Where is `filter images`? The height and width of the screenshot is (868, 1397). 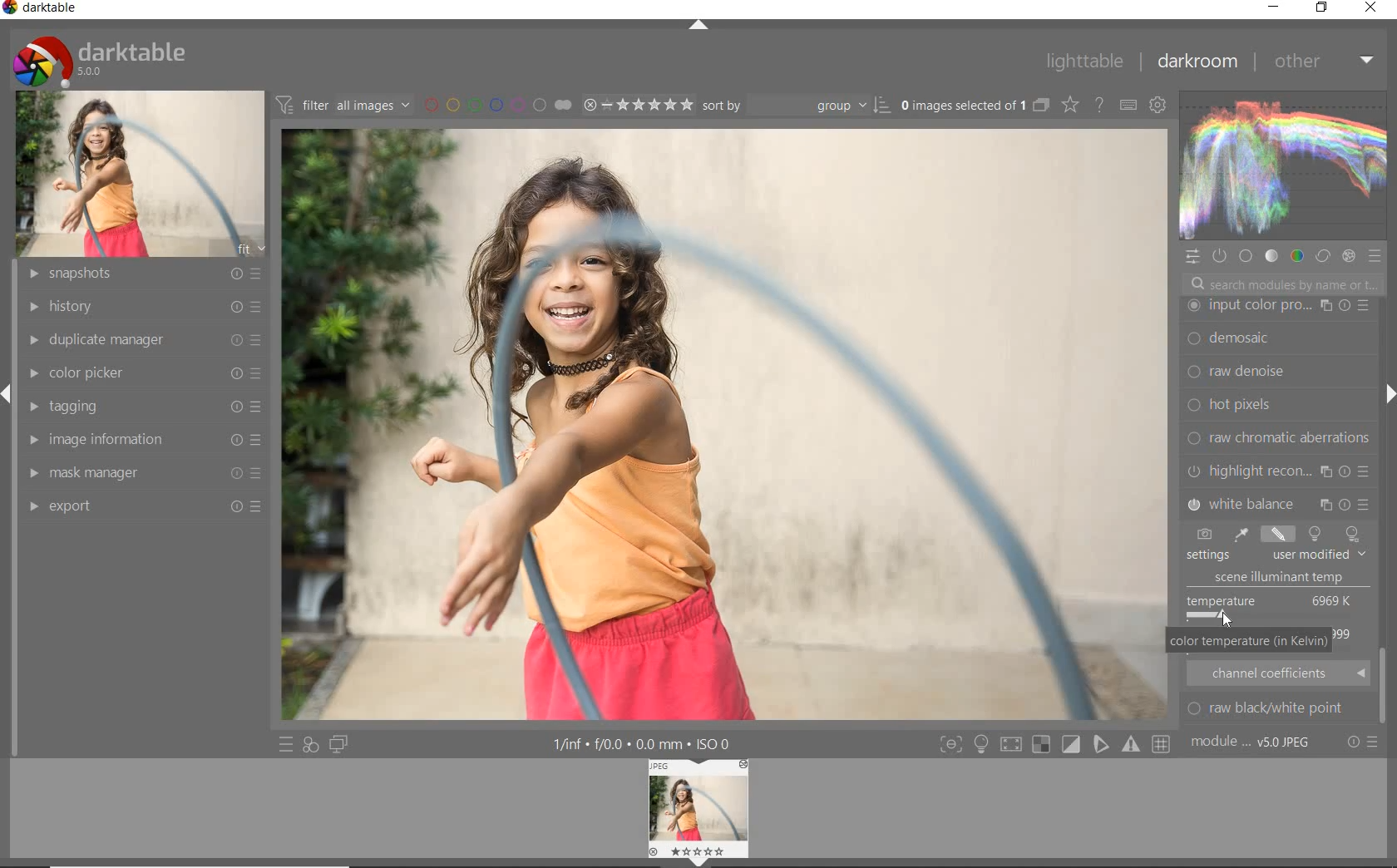 filter images is located at coordinates (343, 106).